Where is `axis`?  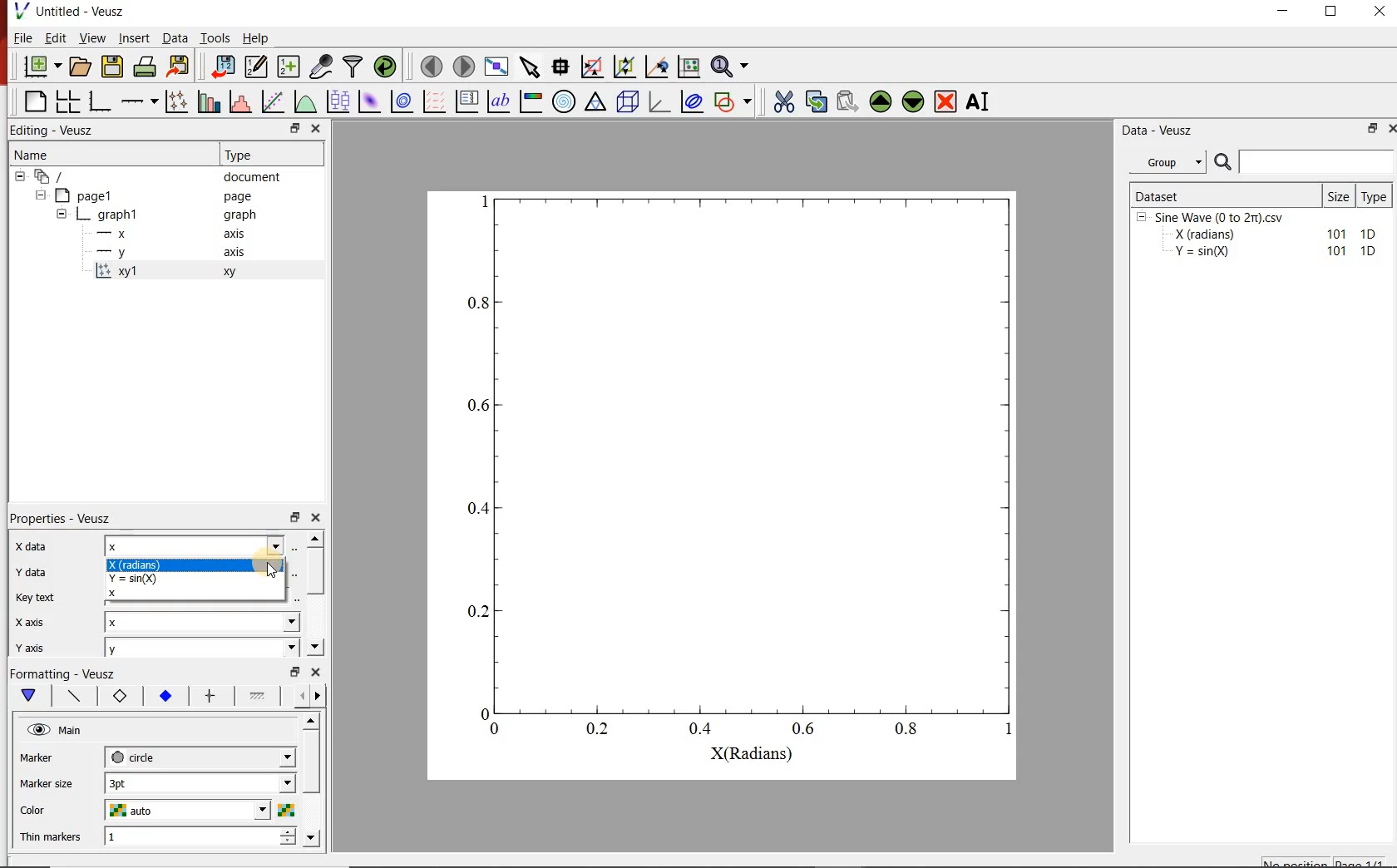
axis is located at coordinates (235, 233).